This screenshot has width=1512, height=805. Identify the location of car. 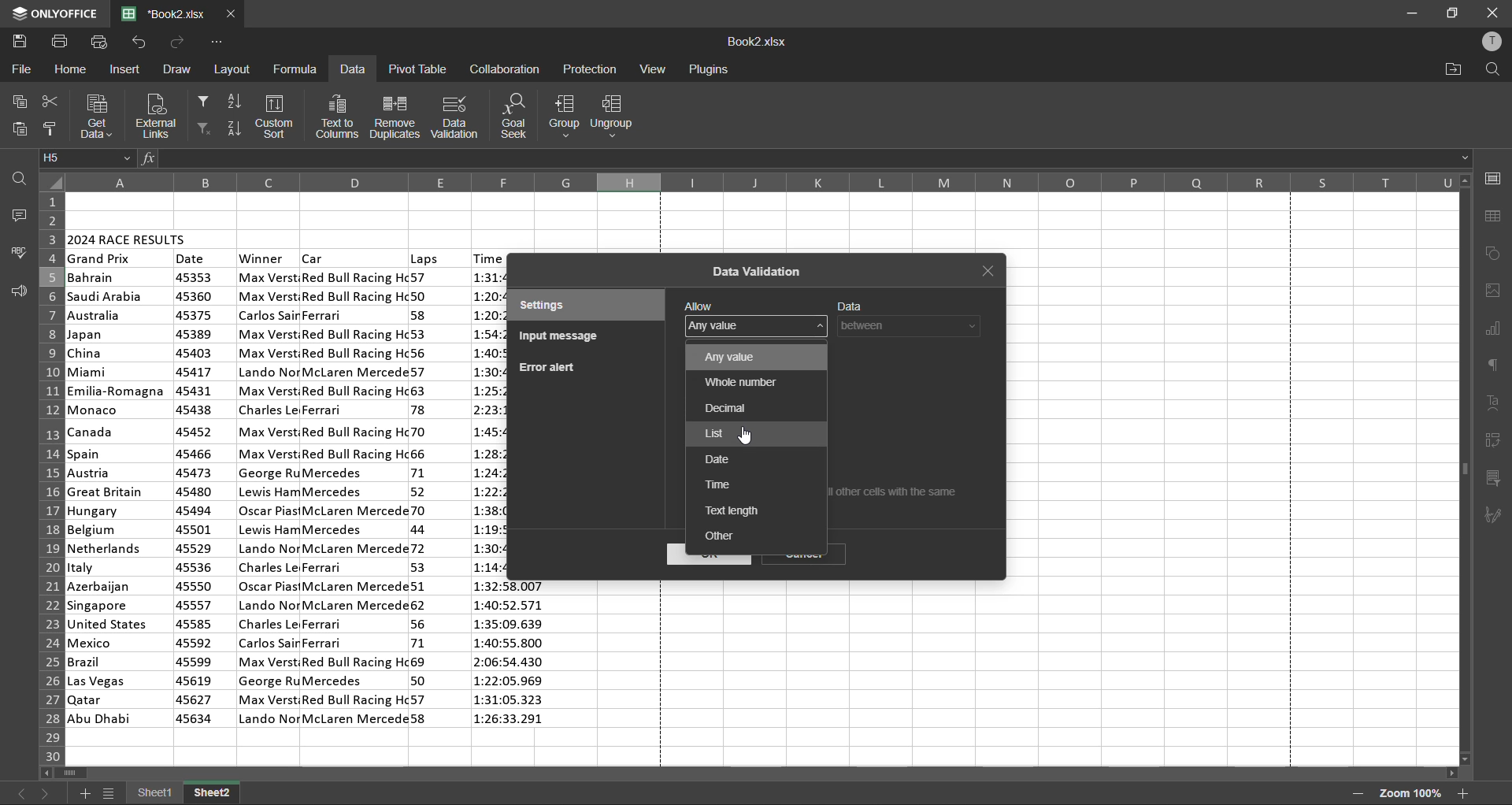
(354, 497).